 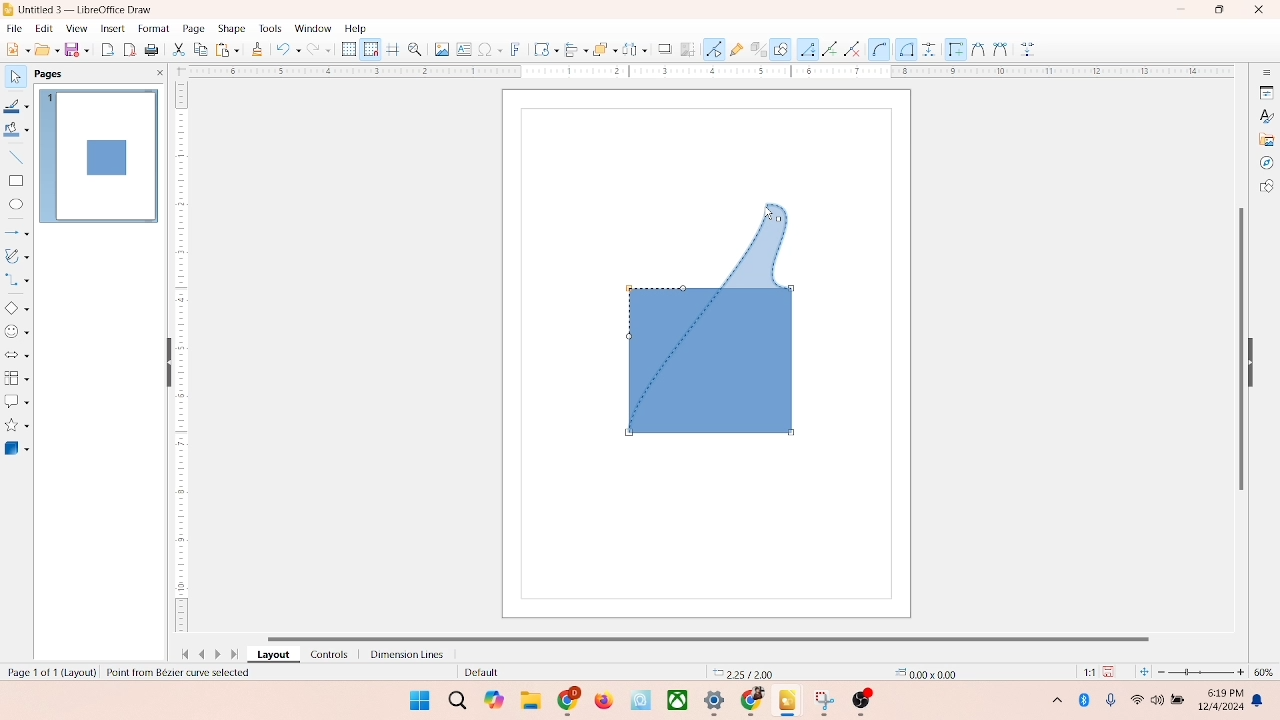 What do you see at coordinates (42, 29) in the screenshot?
I see `edit` at bounding box center [42, 29].